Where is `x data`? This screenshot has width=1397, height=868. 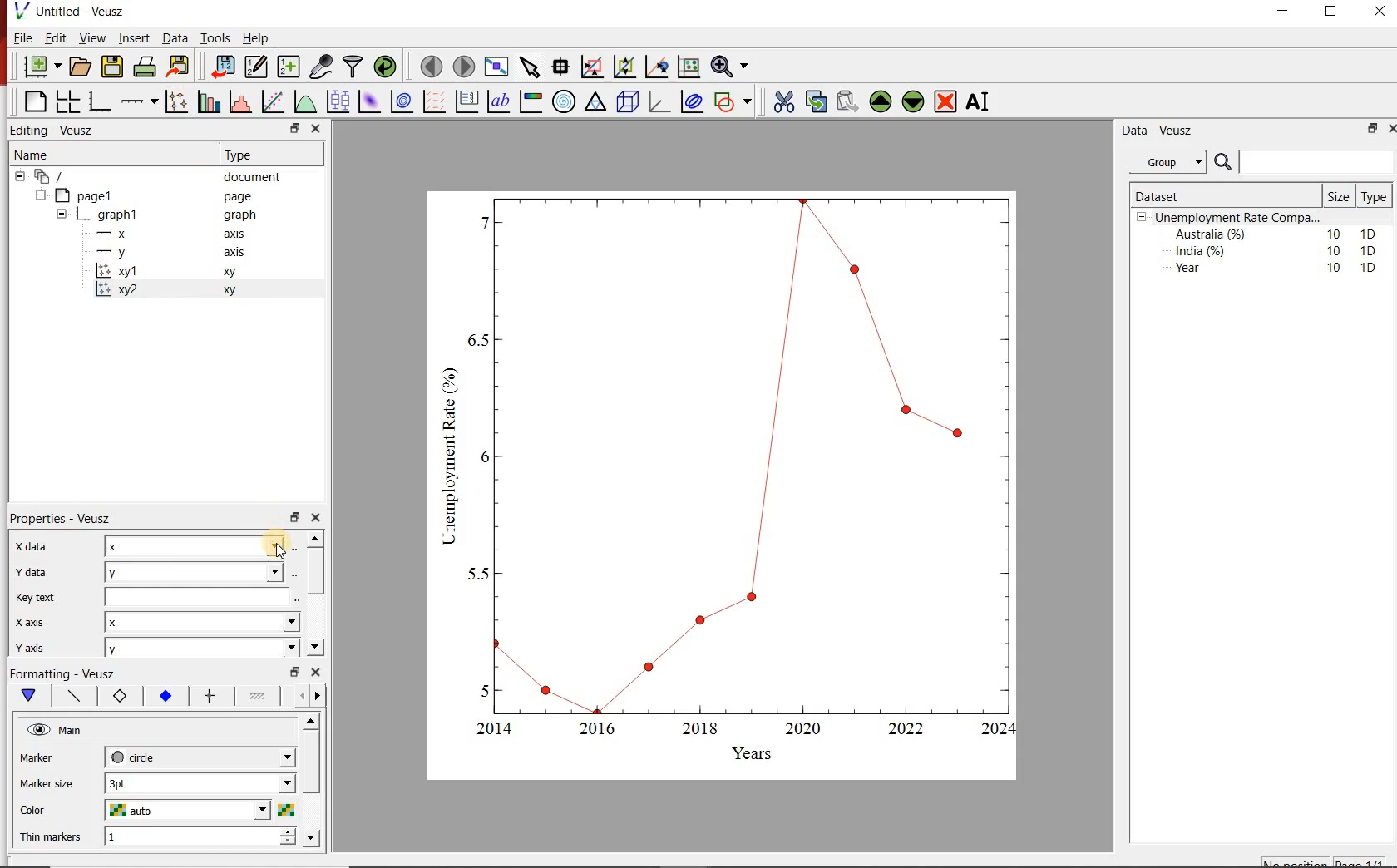
x data is located at coordinates (29, 547).